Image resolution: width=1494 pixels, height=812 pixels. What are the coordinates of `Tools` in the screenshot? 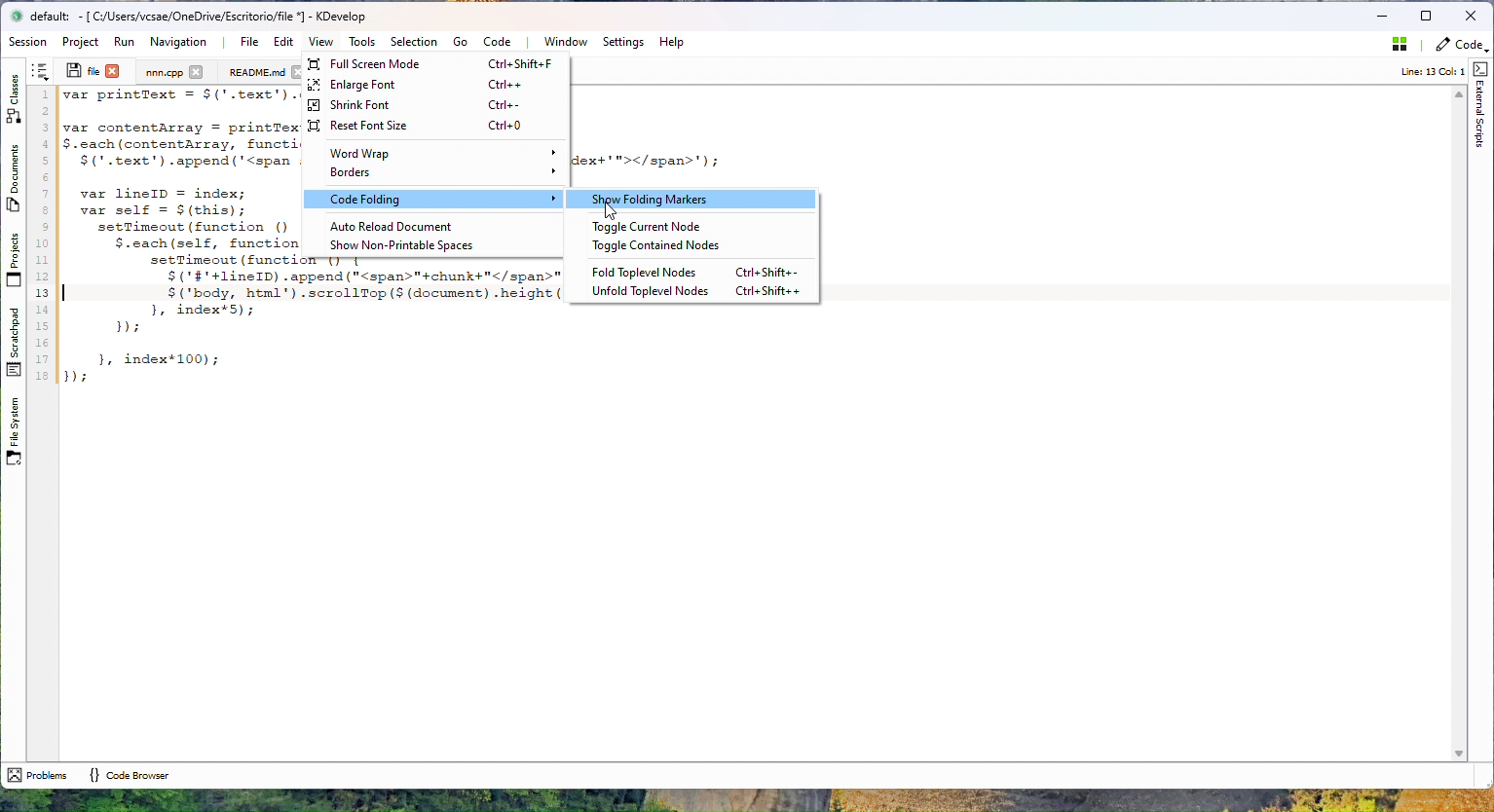 It's located at (361, 42).